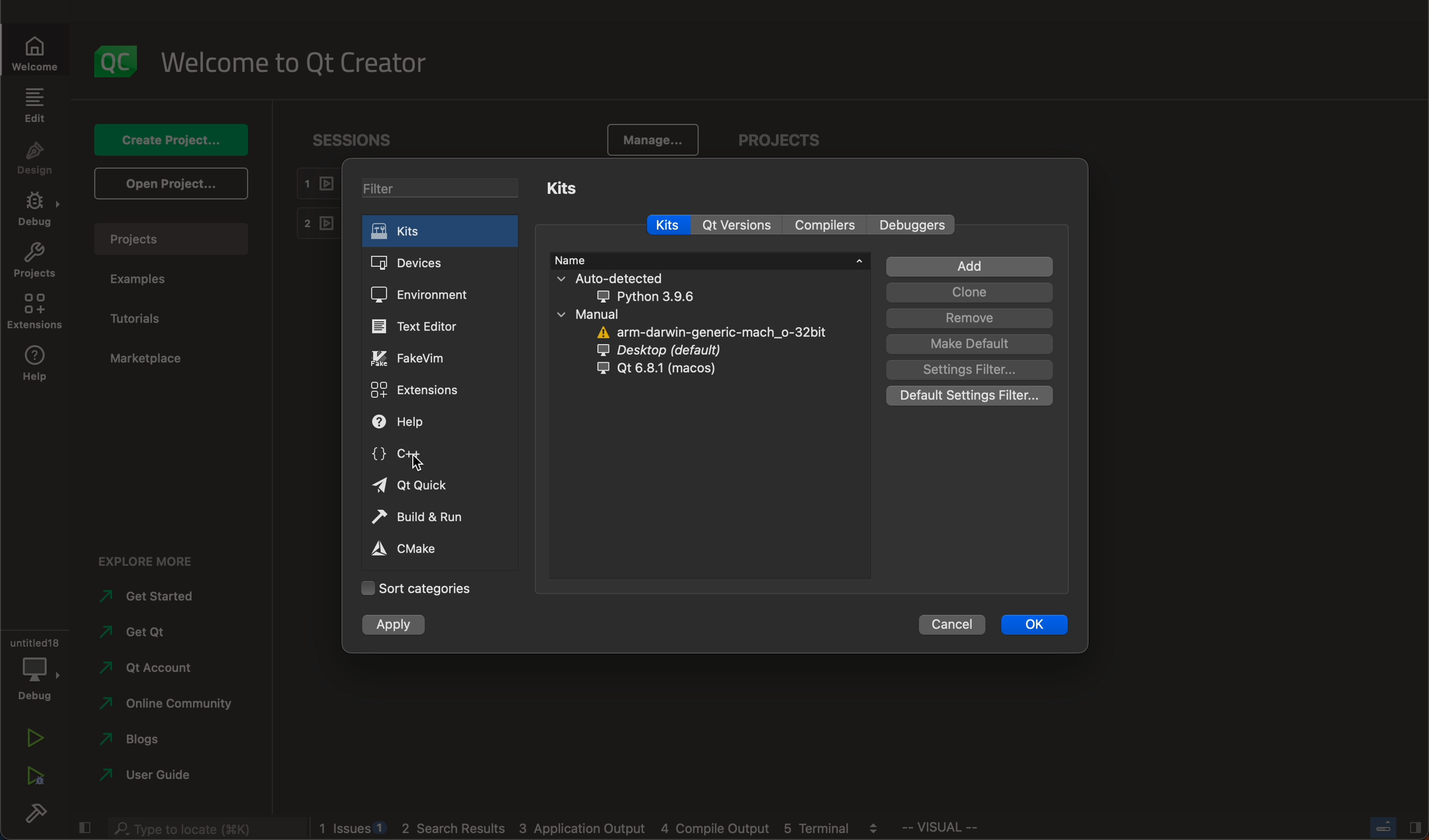 The width and height of the screenshot is (1429, 840). I want to click on cmake, so click(417, 548).